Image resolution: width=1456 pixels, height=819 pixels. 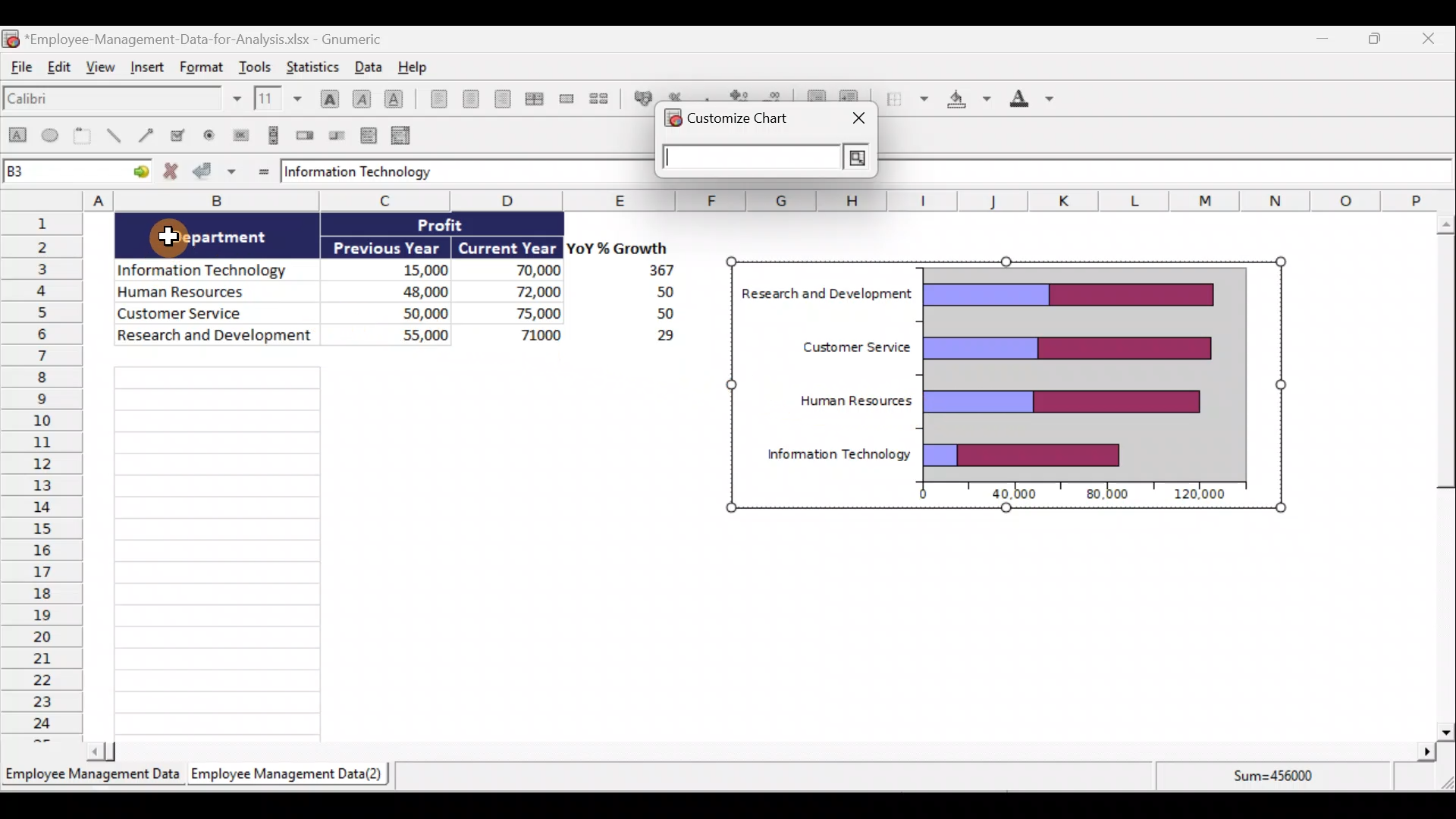 What do you see at coordinates (413, 66) in the screenshot?
I see `Help` at bounding box center [413, 66].